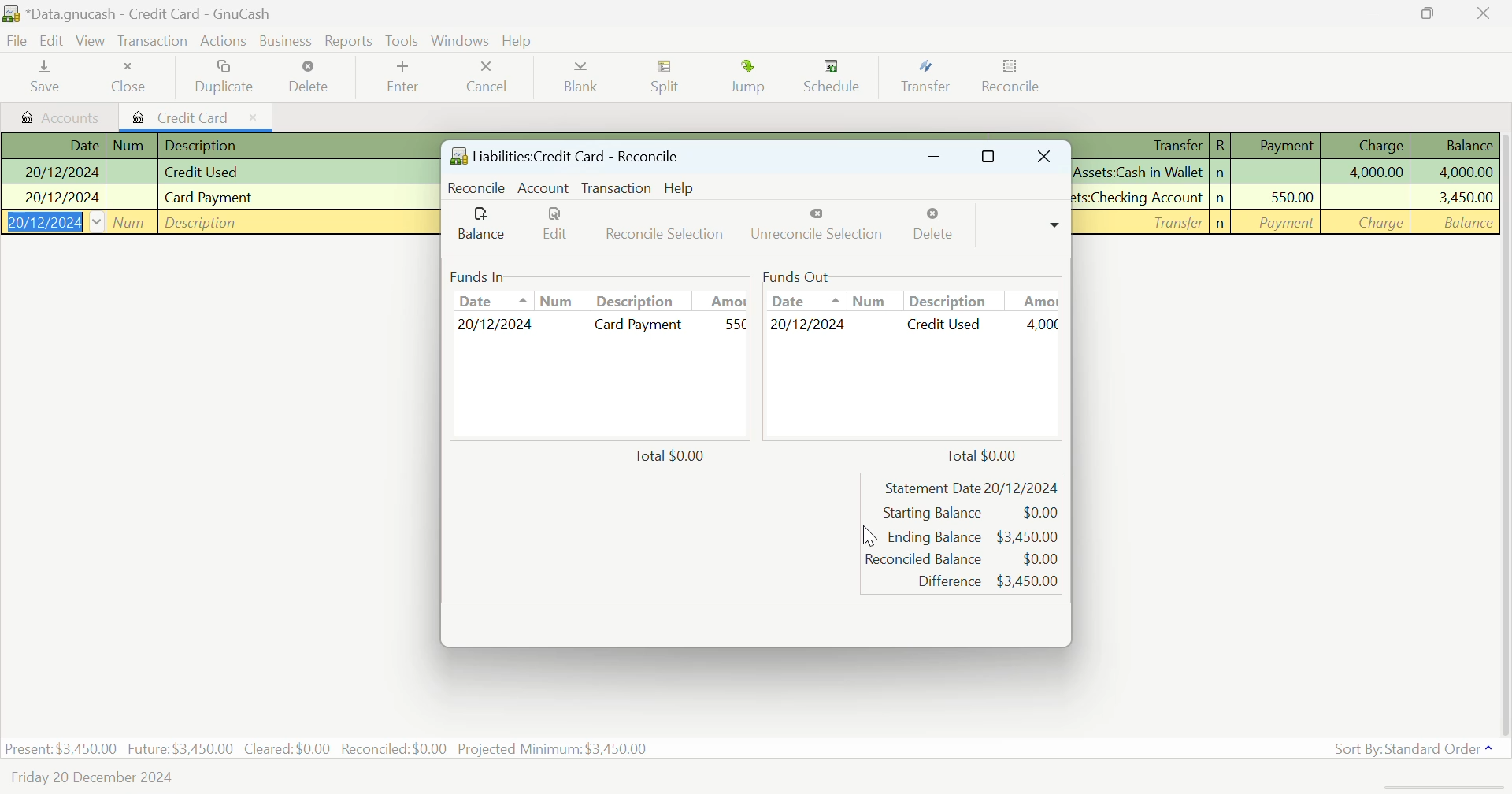  I want to click on Delete, so click(311, 77).